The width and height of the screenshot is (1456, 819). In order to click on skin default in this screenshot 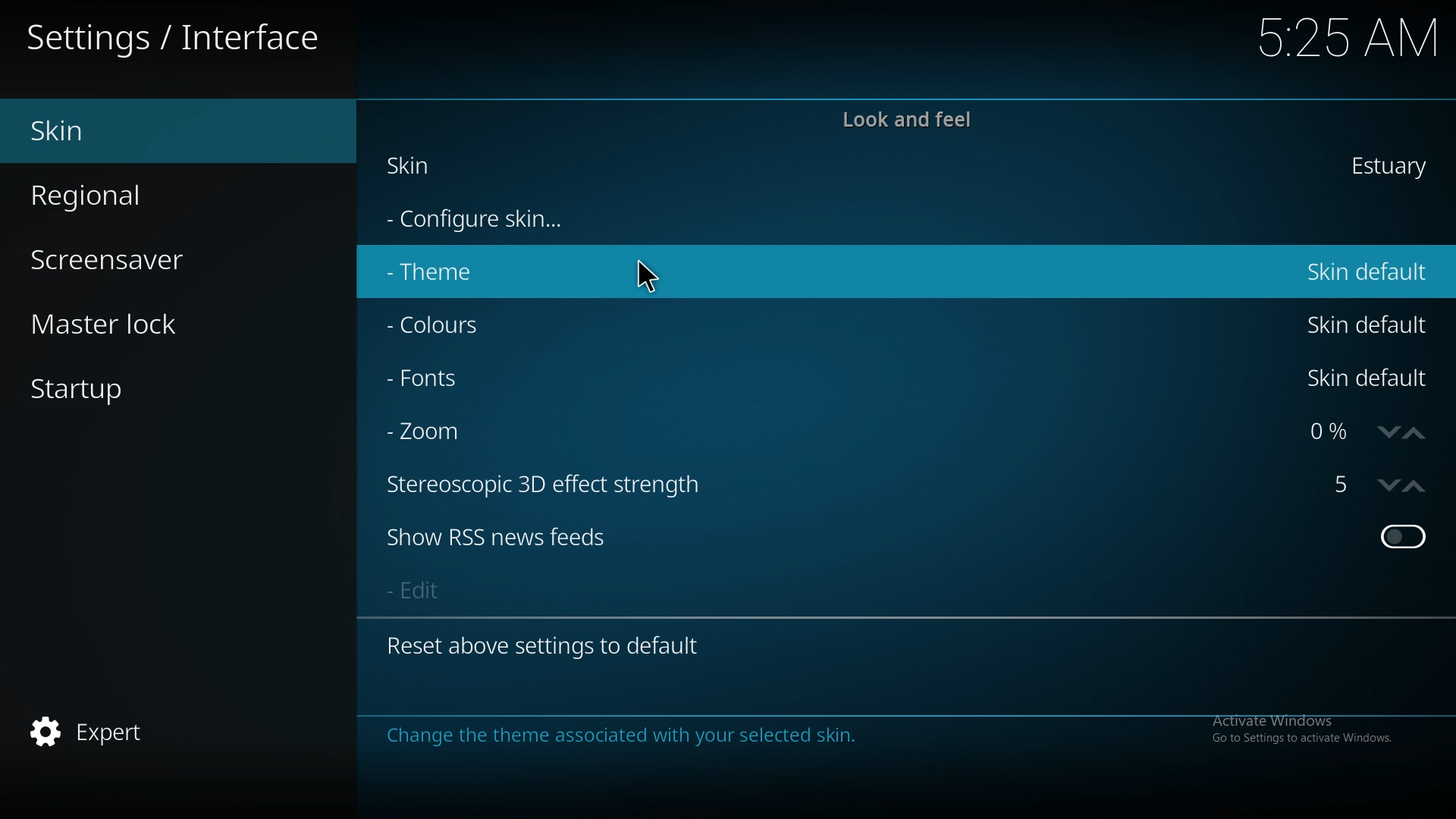, I will do `click(1367, 270)`.